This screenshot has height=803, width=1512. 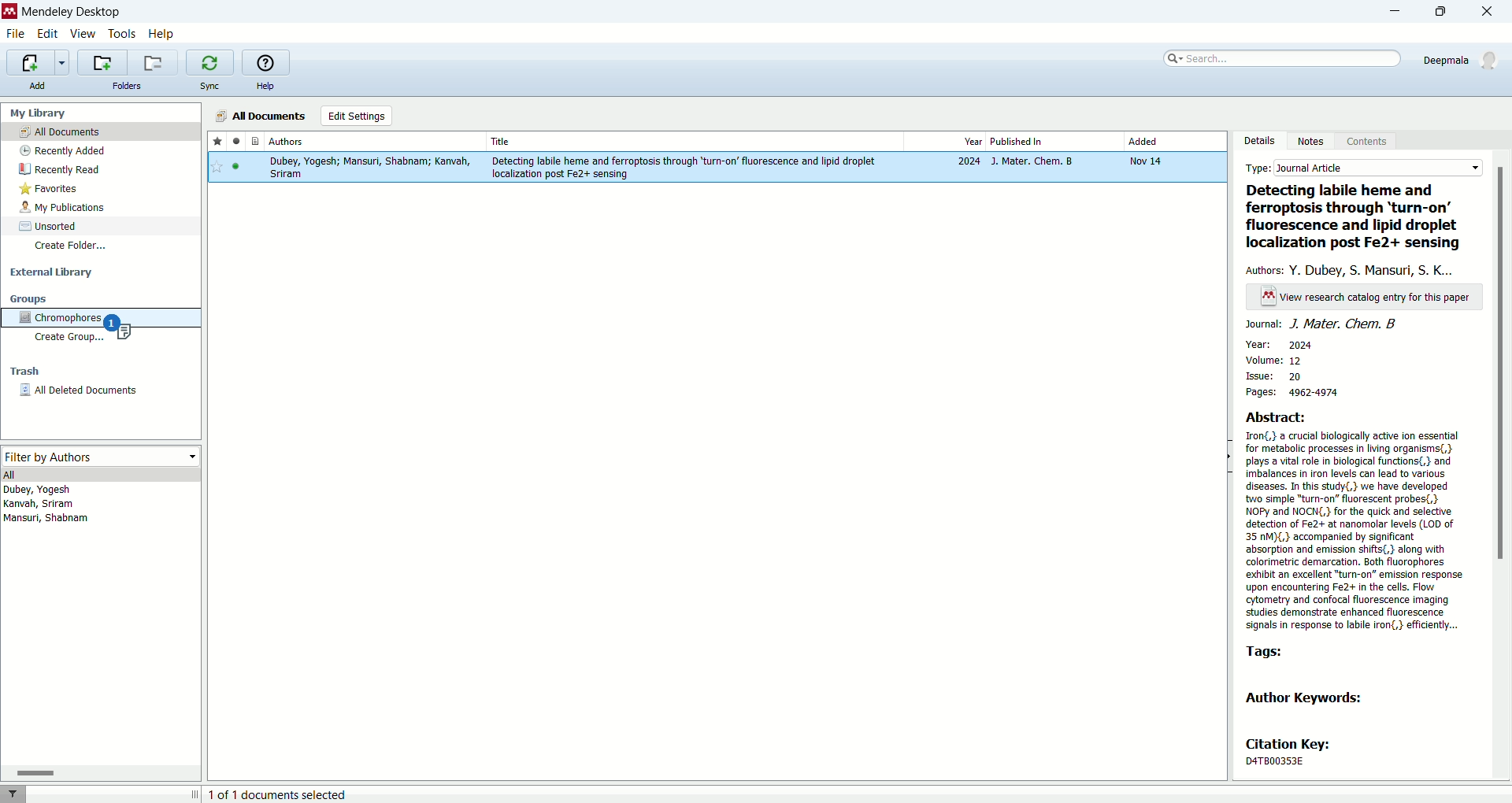 I want to click on sync, so click(x=209, y=88).